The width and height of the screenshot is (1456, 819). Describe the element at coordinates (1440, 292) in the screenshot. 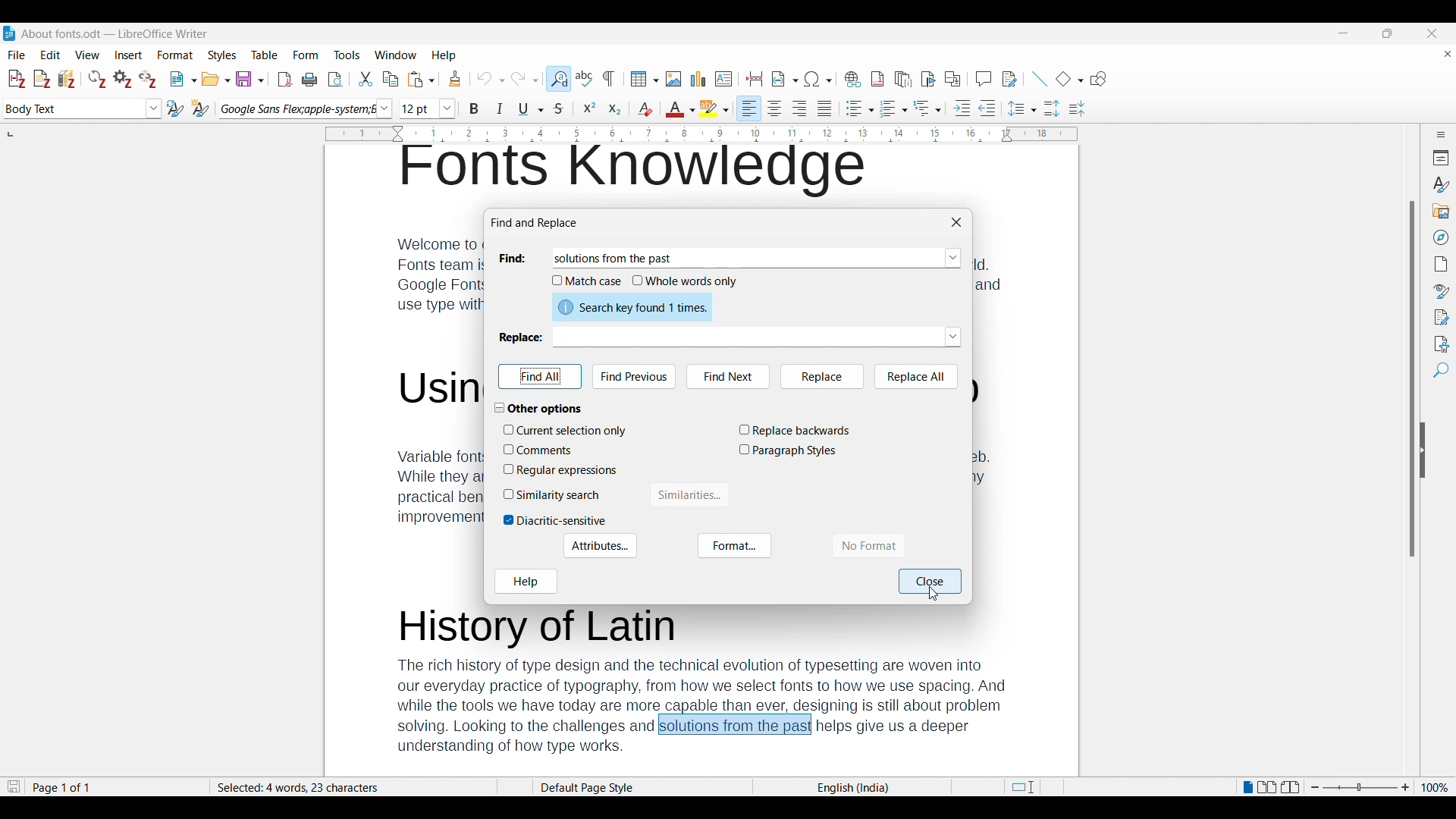

I see `Style inspector` at that location.